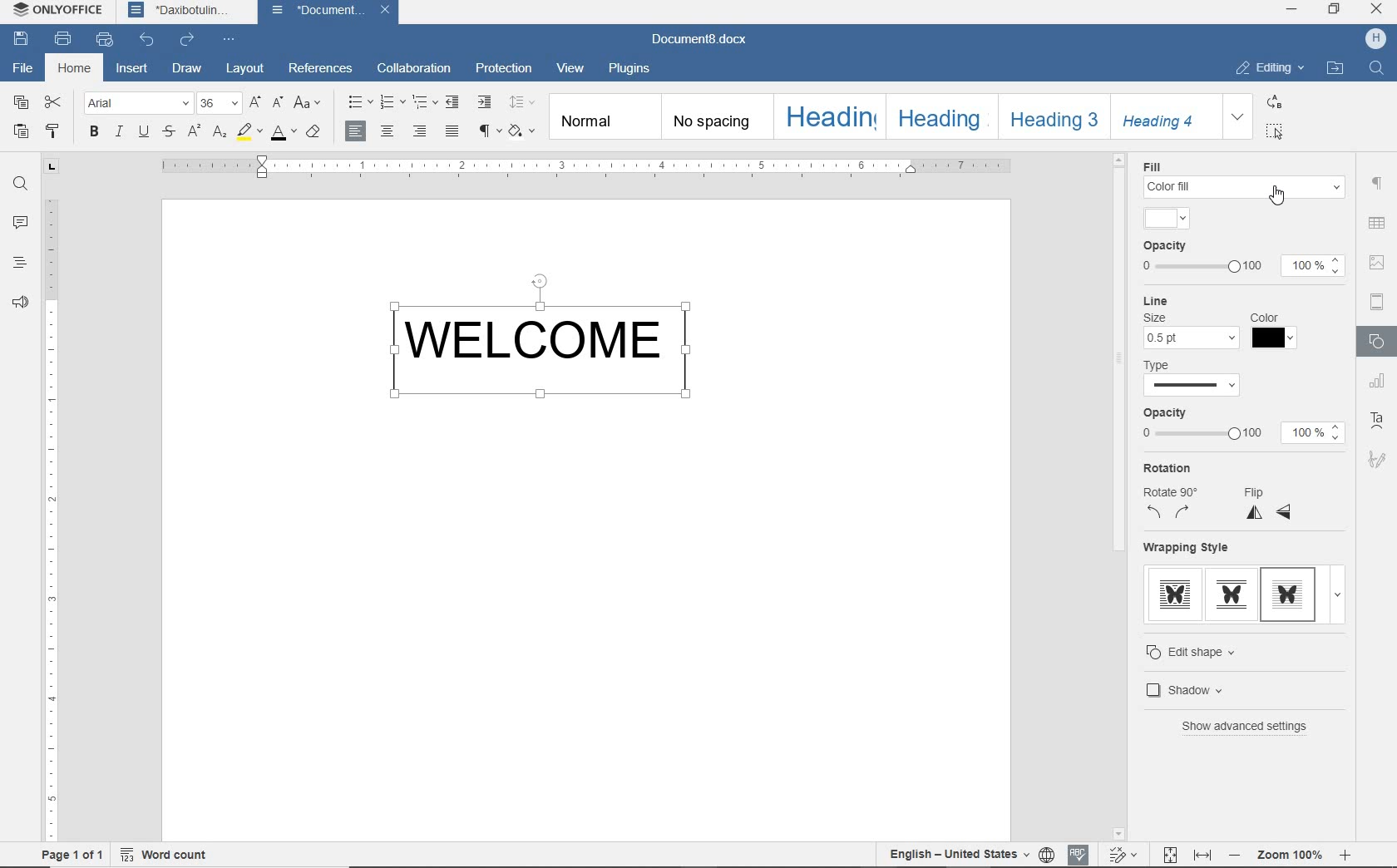 The width and height of the screenshot is (1397, 868). What do you see at coordinates (1166, 247) in the screenshot?
I see `Opacity` at bounding box center [1166, 247].